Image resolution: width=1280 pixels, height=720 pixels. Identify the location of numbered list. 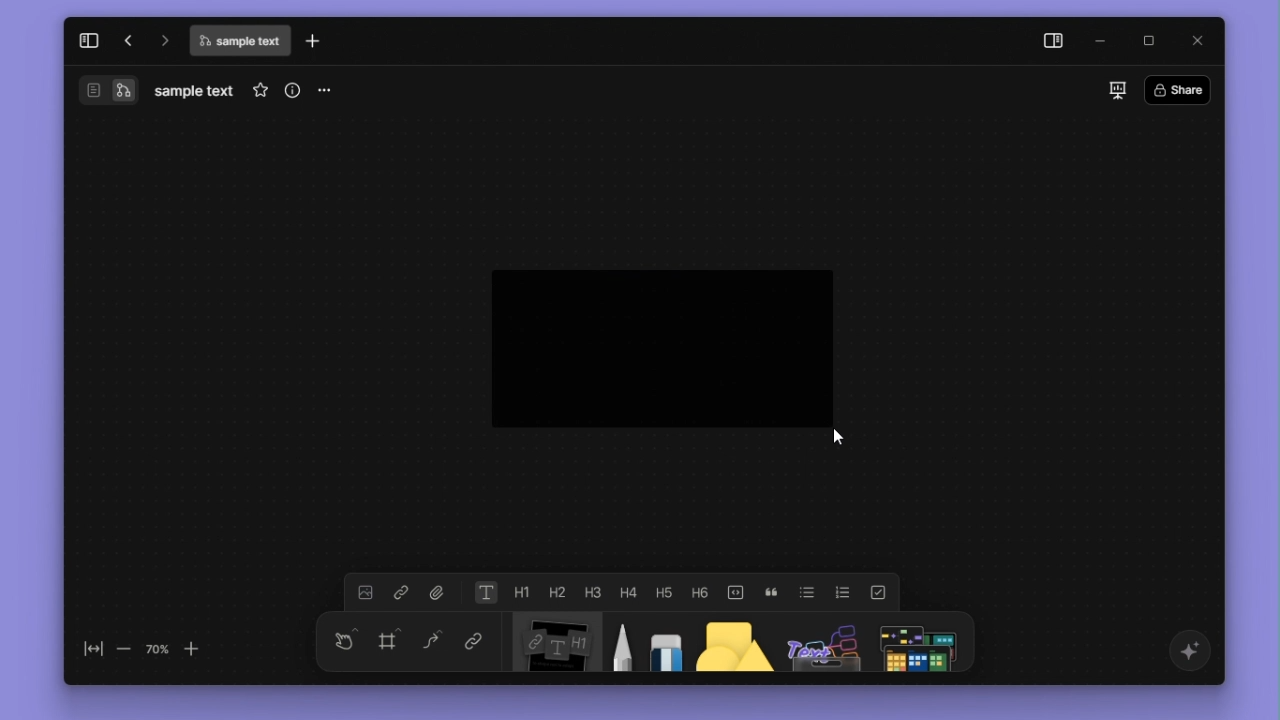
(843, 591).